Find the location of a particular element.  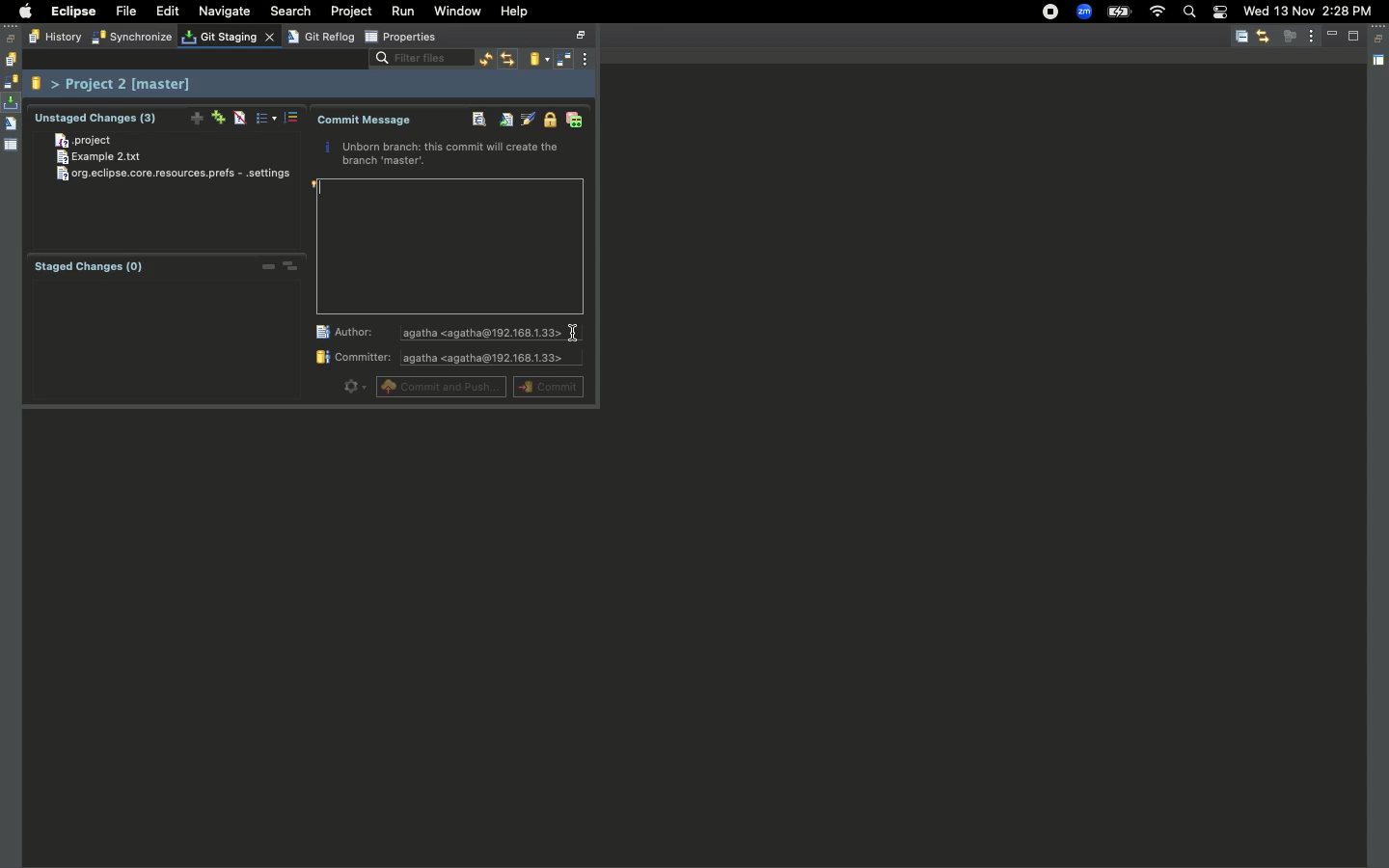

History is located at coordinates (10, 60).